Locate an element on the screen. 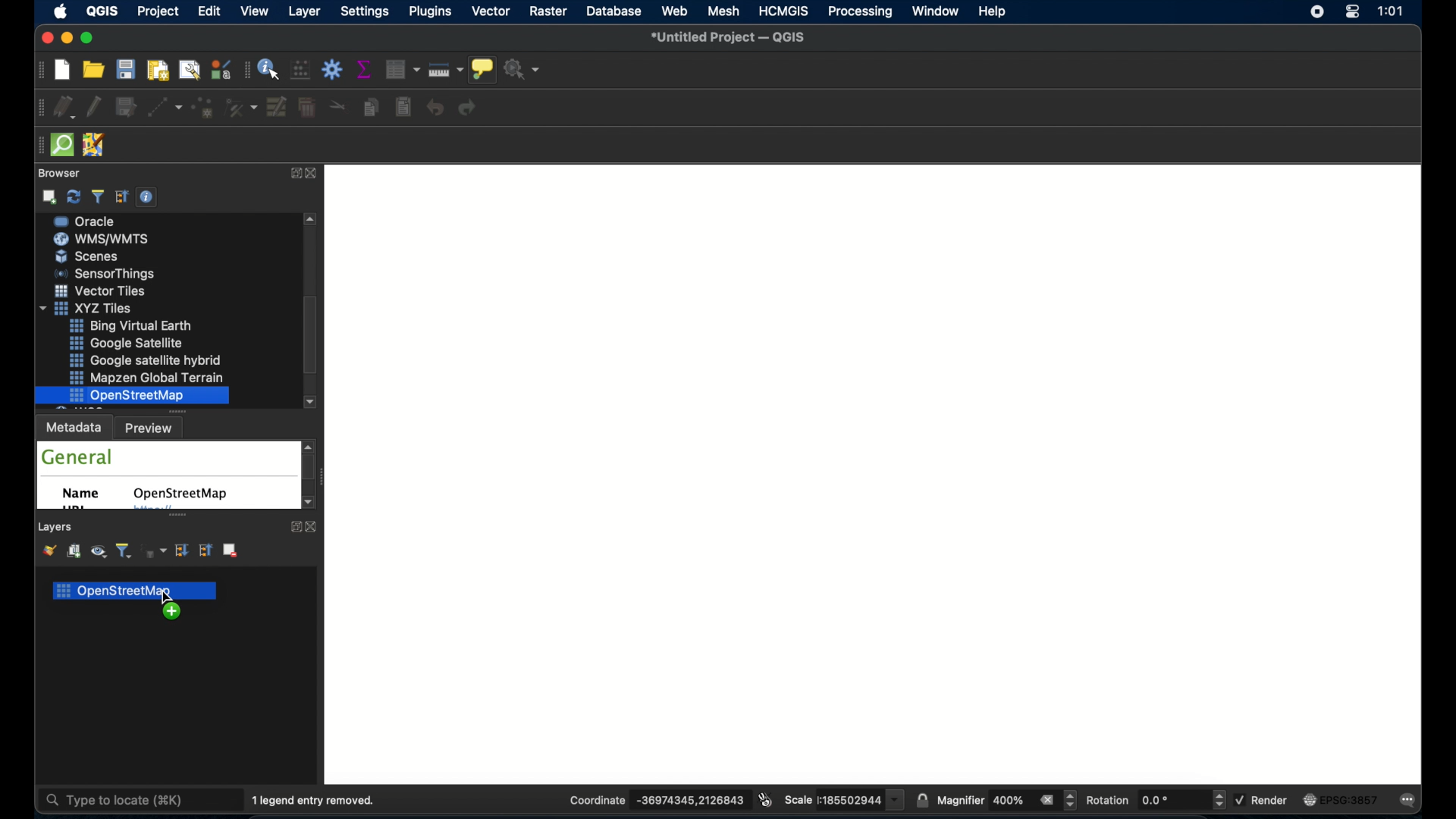  help is located at coordinates (992, 11).